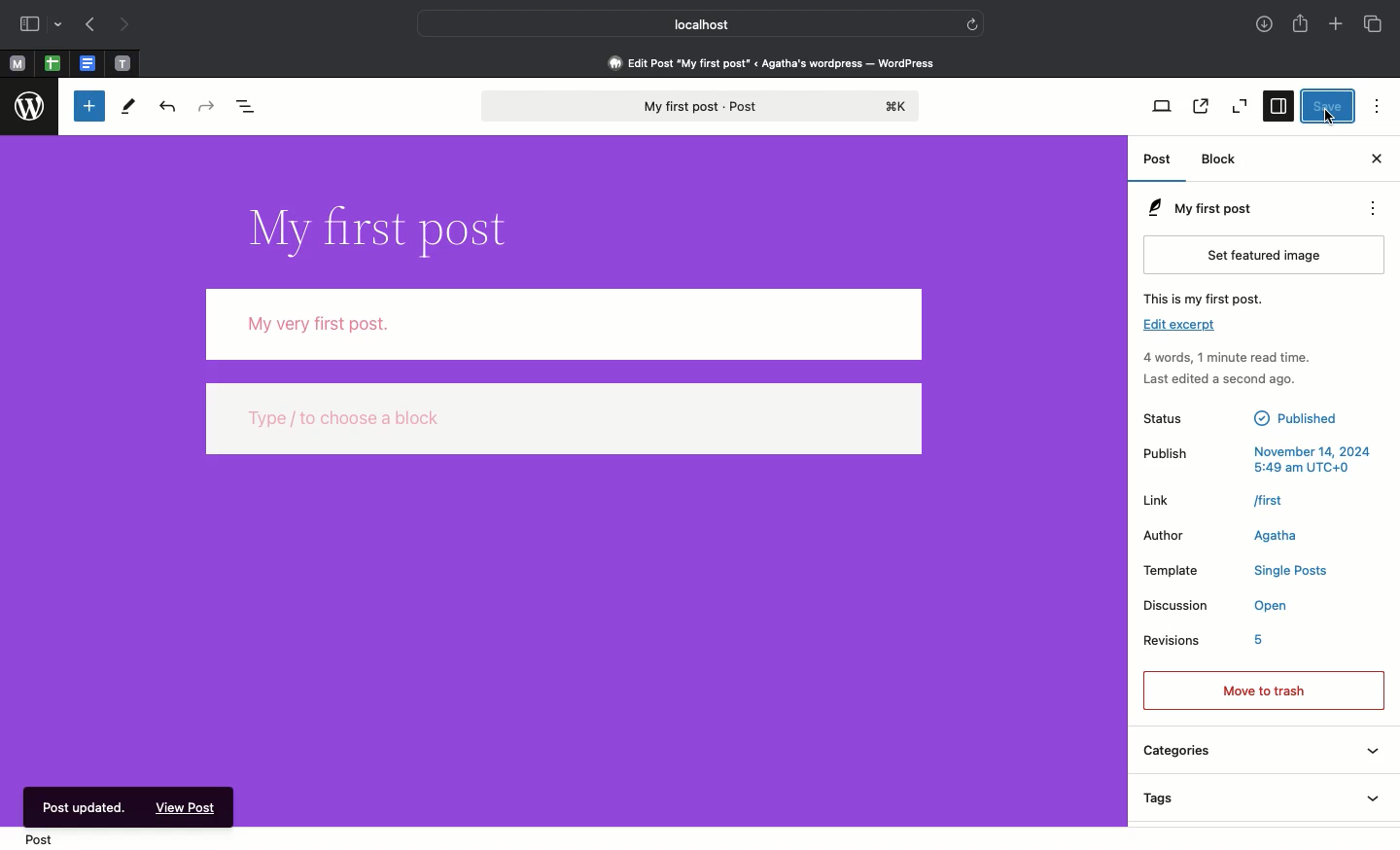 The width and height of the screenshot is (1400, 850). Describe the element at coordinates (31, 107) in the screenshot. I see `wordpress logo` at that location.